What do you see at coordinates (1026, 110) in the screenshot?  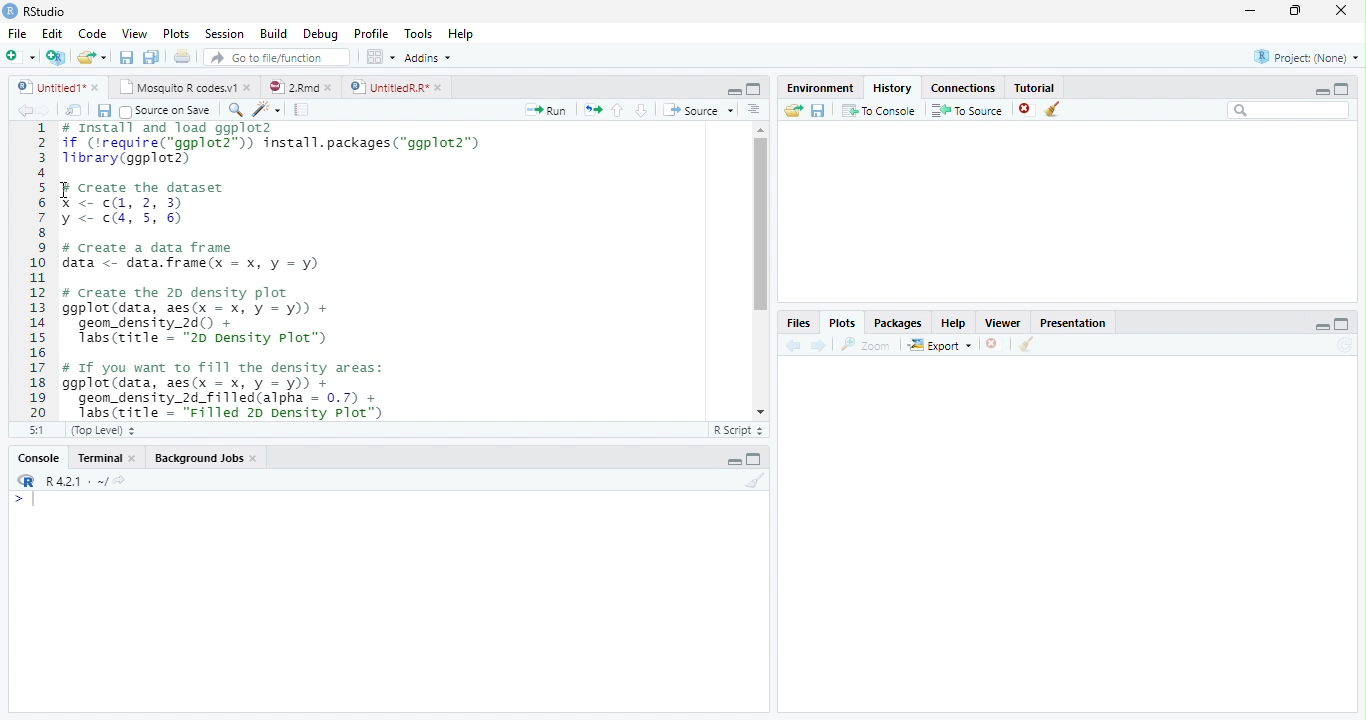 I see `close` at bounding box center [1026, 110].